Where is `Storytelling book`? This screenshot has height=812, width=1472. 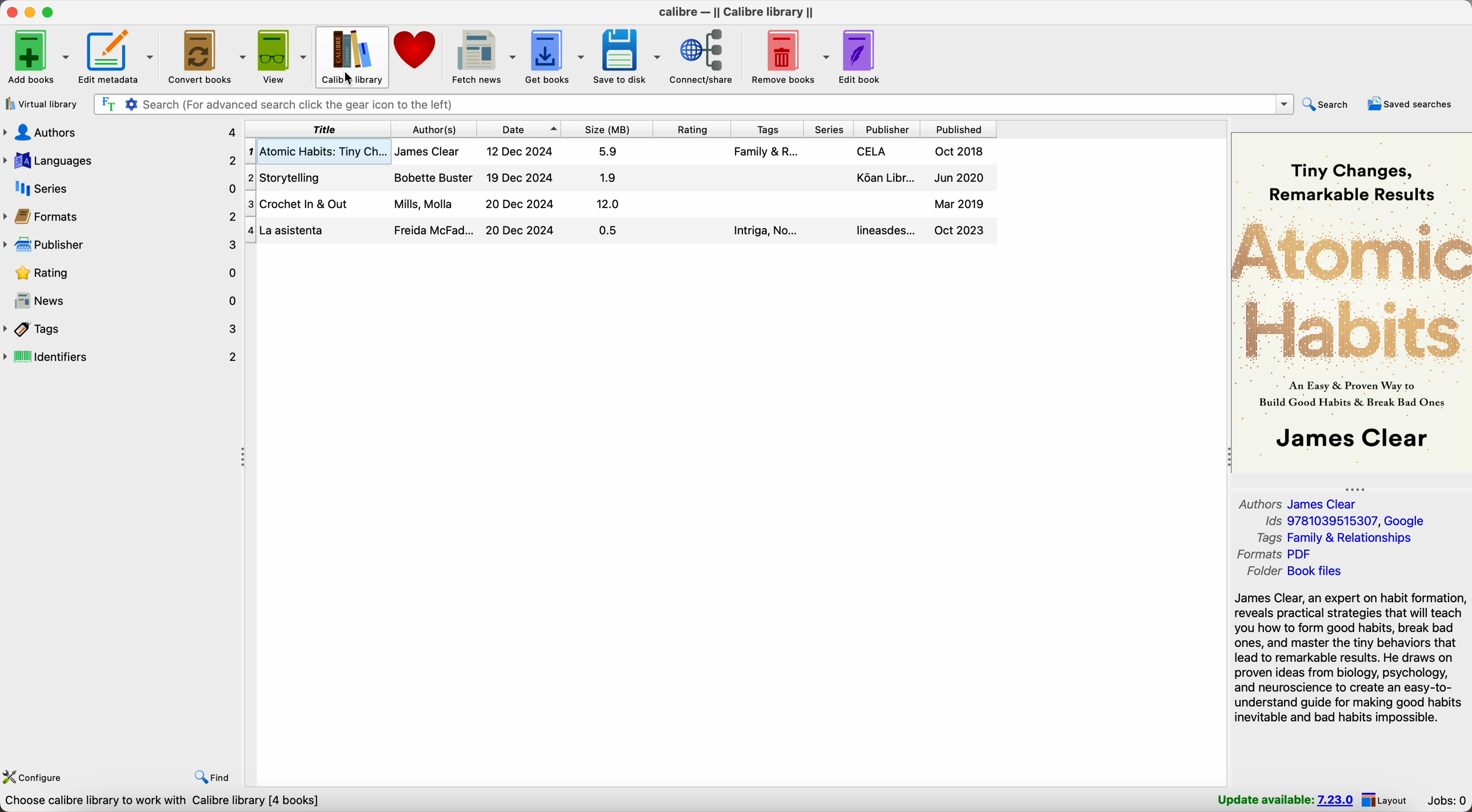 Storytelling book is located at coordinates (621, 178).